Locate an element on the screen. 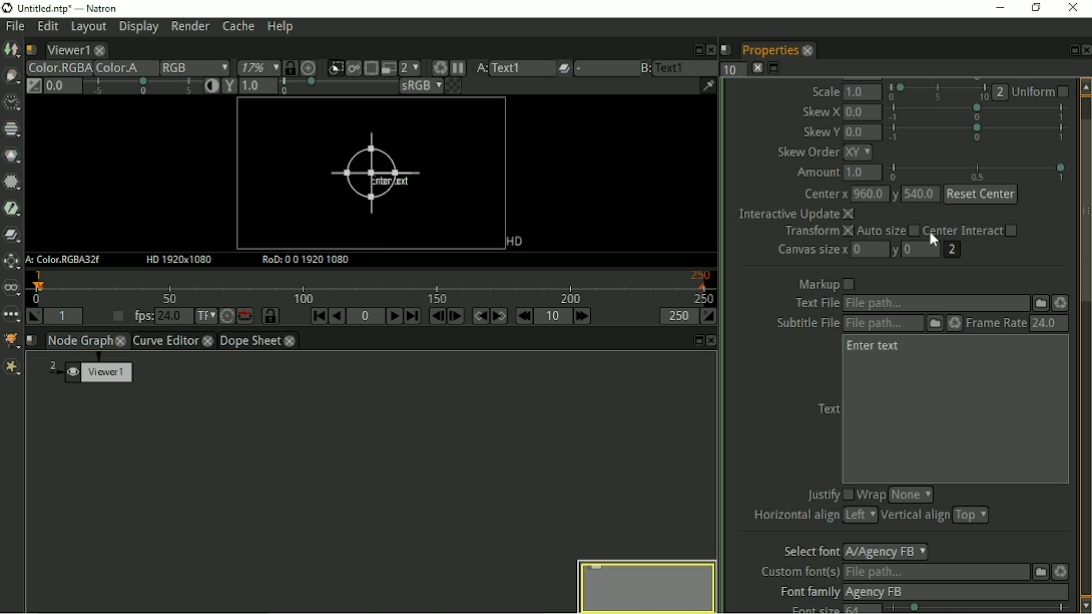 Image resolution: width=1092 pixels, height=614 pixels. 0 is located at coordinates (922, 248).